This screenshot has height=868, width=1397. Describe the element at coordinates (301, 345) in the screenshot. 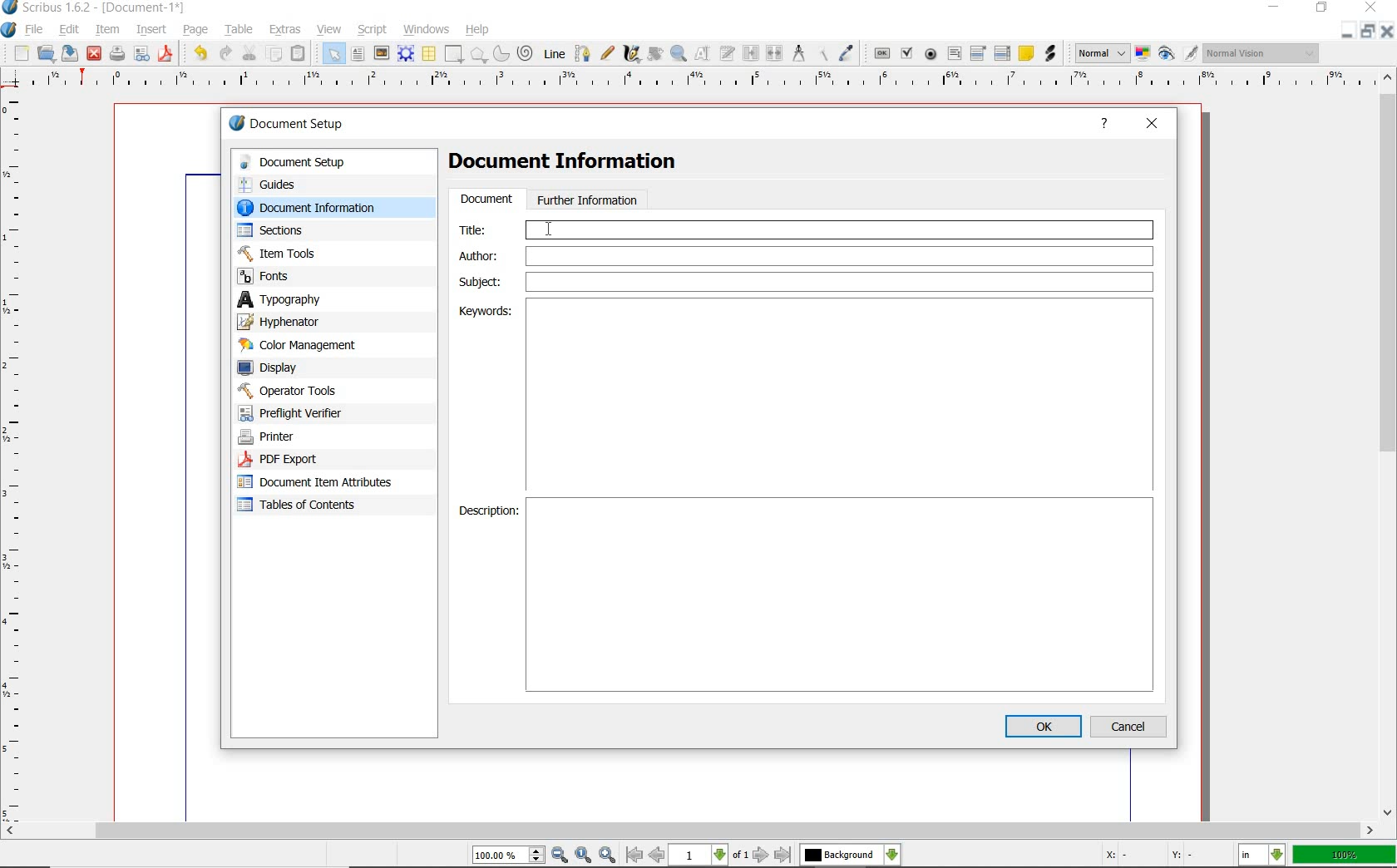

I see `color management` at that location.